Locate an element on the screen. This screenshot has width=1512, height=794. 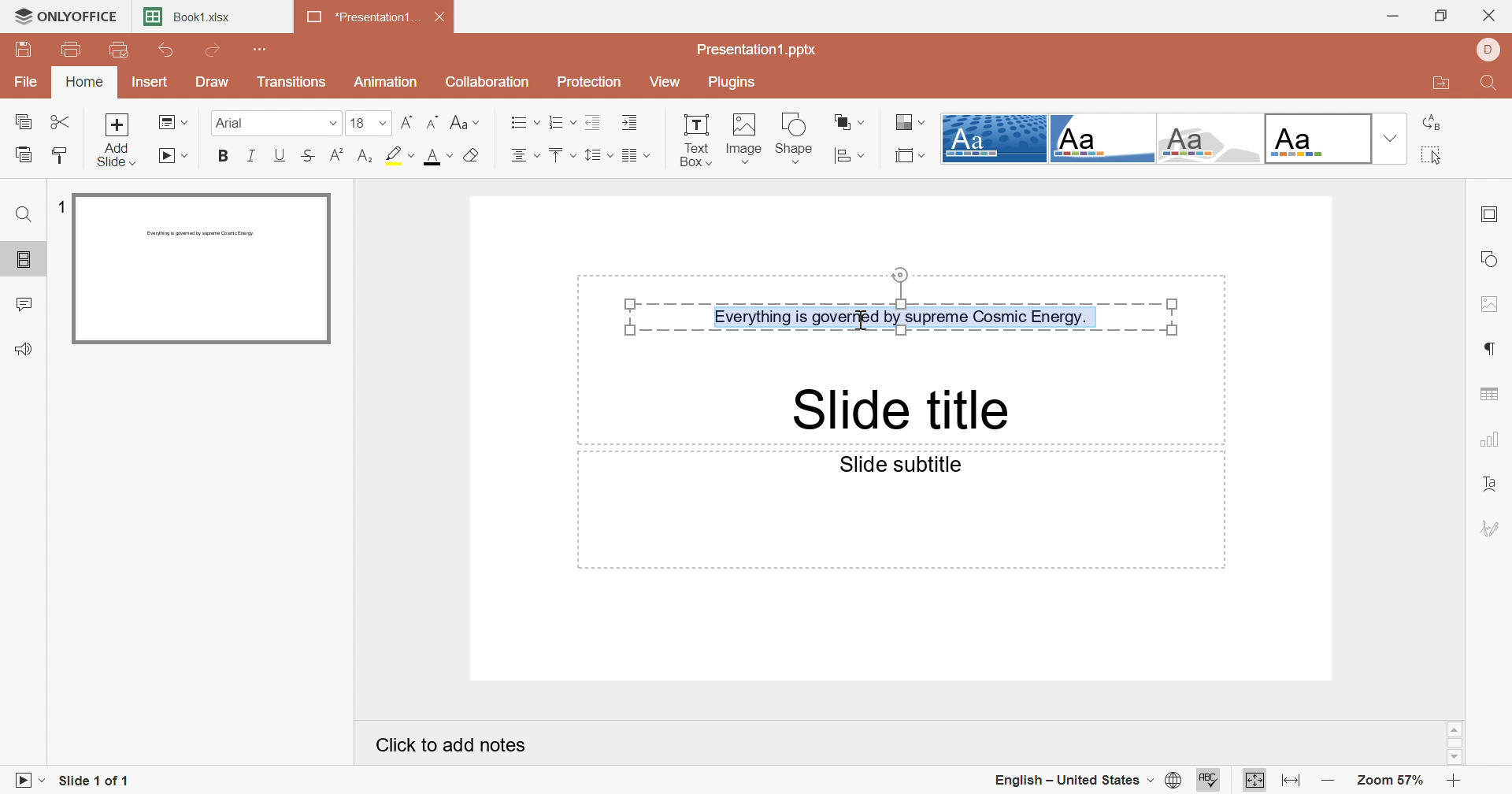
Collaboration is located at coordinates (487, 82).